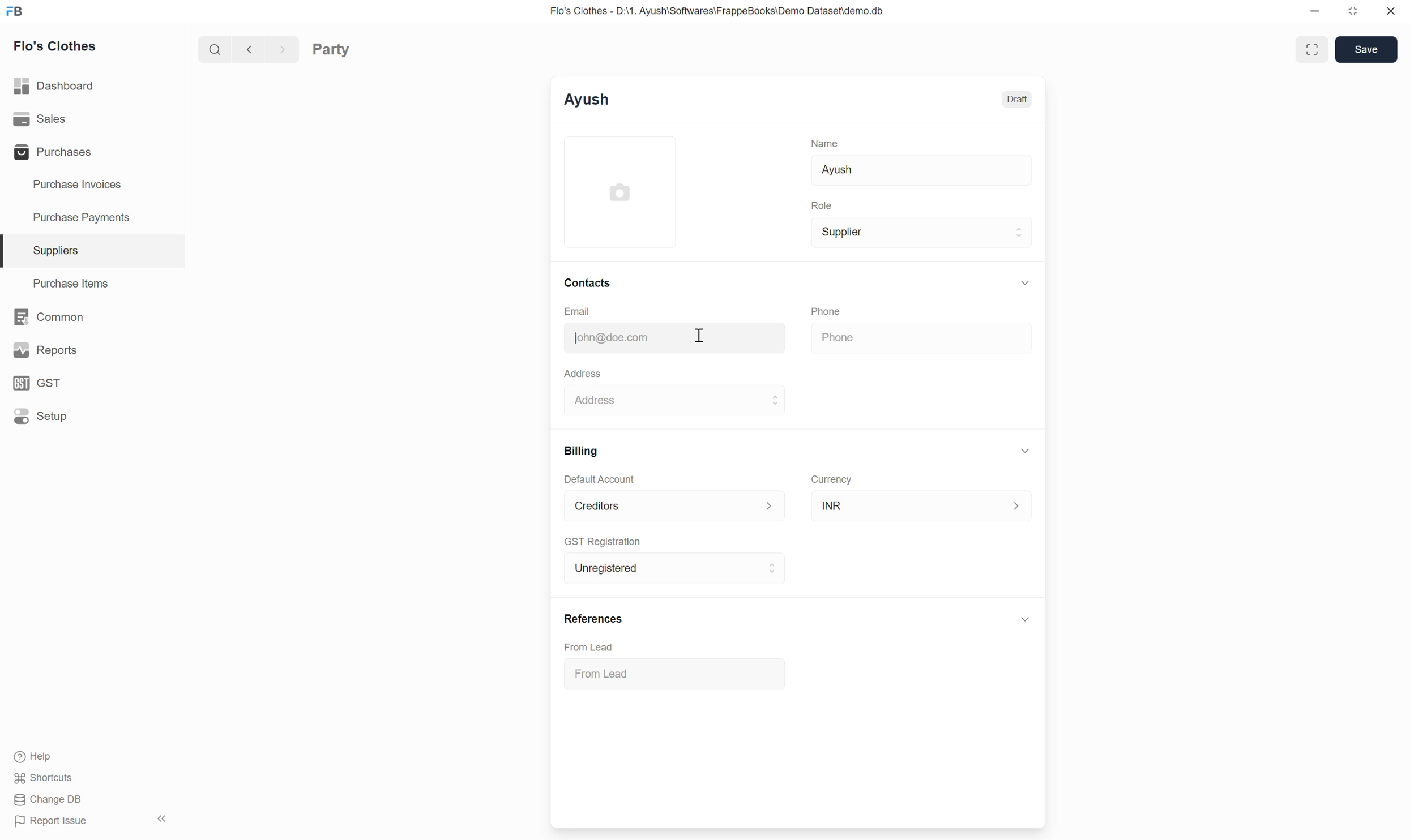  What do you see at coordinates (1366, 49) in the screenshot?
I see `Save` at bounding box center [1366, 49].